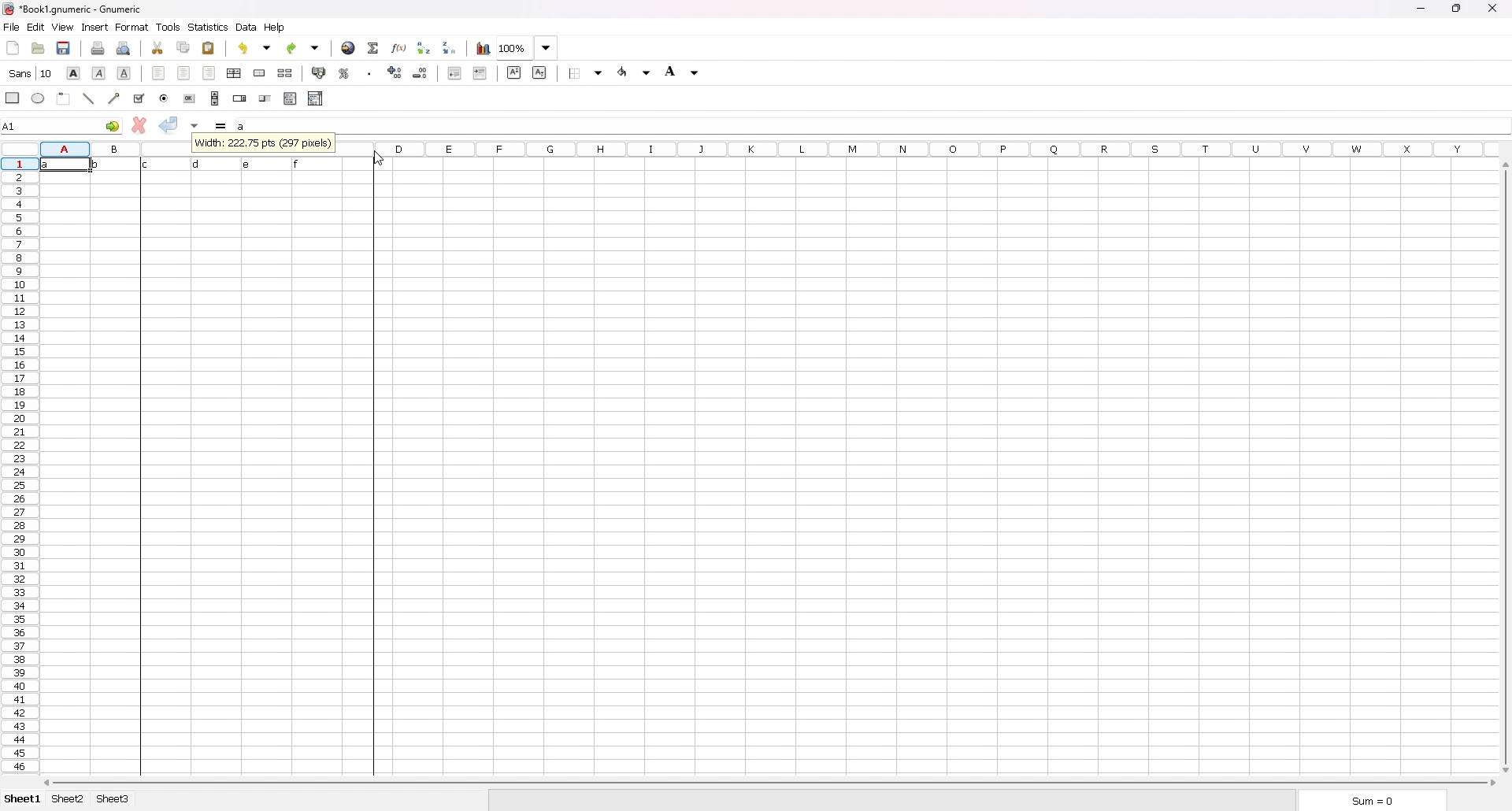 This screenshot has width=1512, height=811. What do you see at coordinates (169, 125) in the screenshot?
I see `accept changes` at bounding box center [169, 125].